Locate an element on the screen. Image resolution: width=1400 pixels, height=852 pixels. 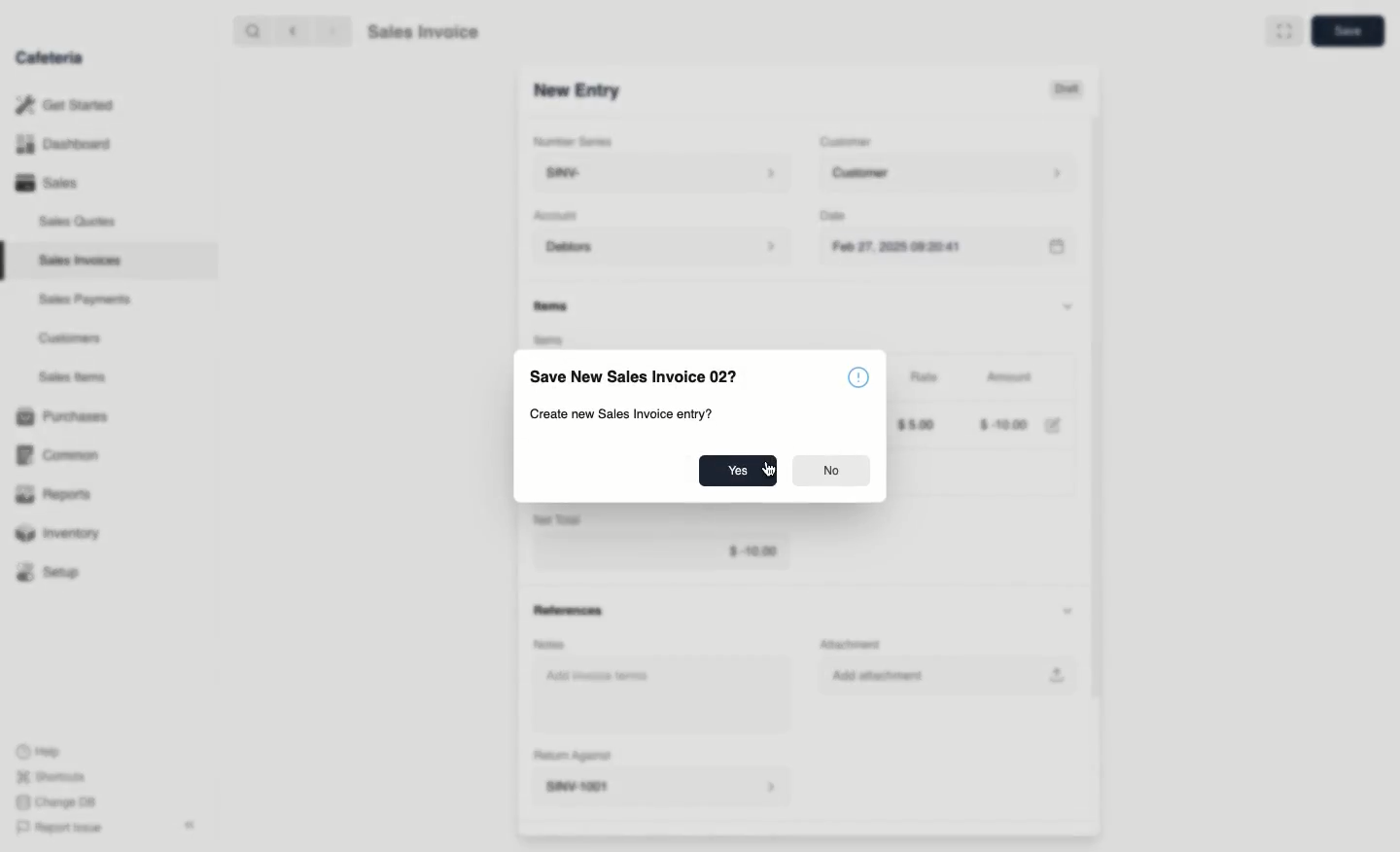
Sales is located at coordinates (50, 183).